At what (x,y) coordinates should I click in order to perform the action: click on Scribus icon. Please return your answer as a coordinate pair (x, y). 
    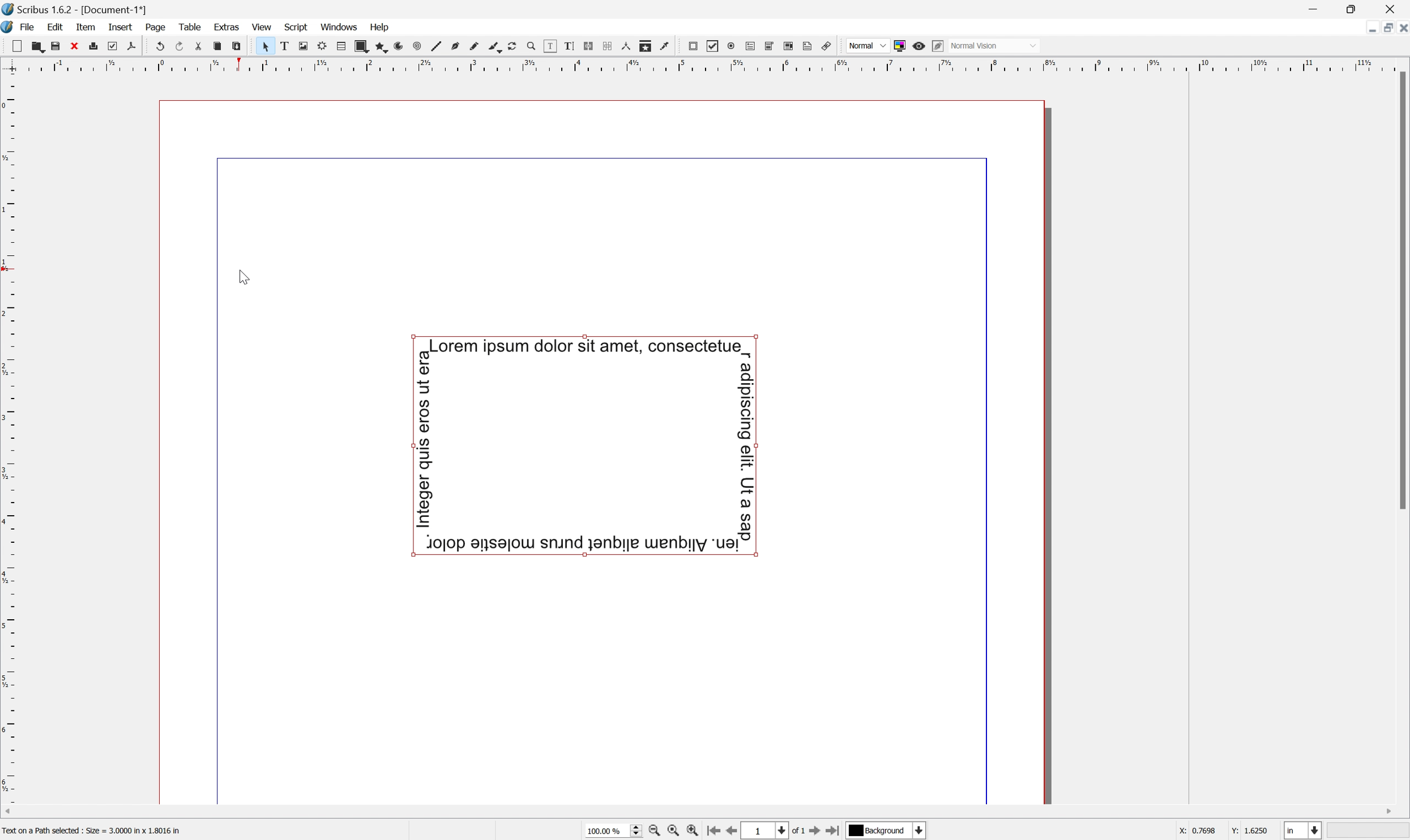
    Looking at the image, I should click on (9, 27).